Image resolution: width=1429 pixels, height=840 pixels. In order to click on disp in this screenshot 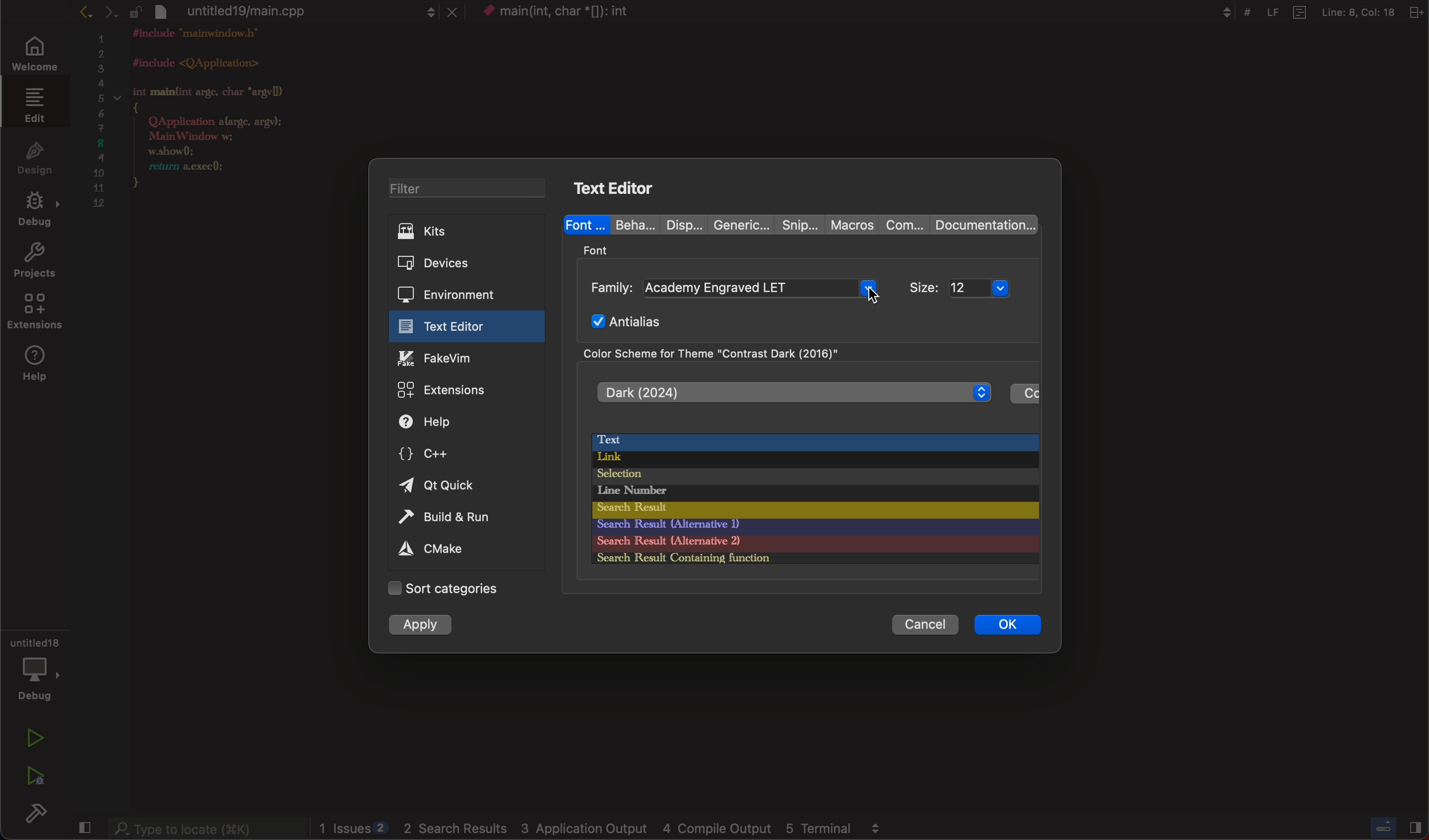, I will do `click(677, 224)`.